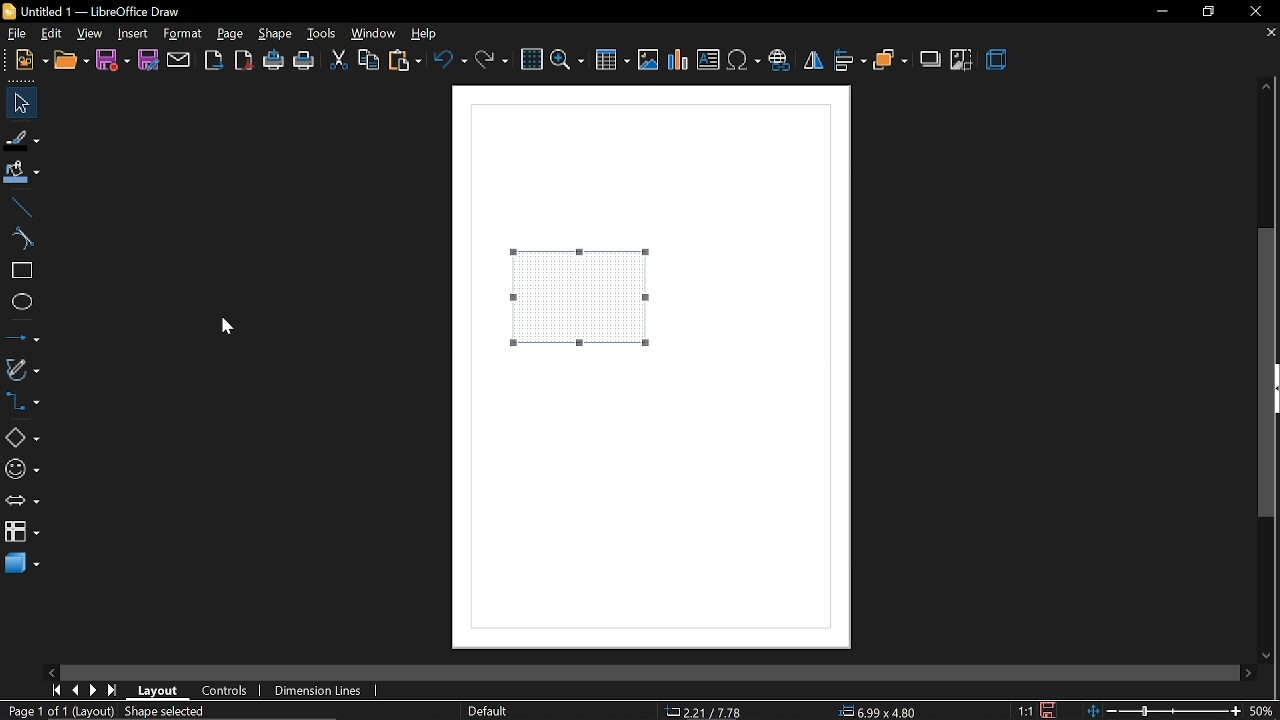 The height and width of the screenshot is (720, 1280). Describe the element at coordinates (645, 670) in the screenshot. I see `Horizantal Sidebar` at that location.